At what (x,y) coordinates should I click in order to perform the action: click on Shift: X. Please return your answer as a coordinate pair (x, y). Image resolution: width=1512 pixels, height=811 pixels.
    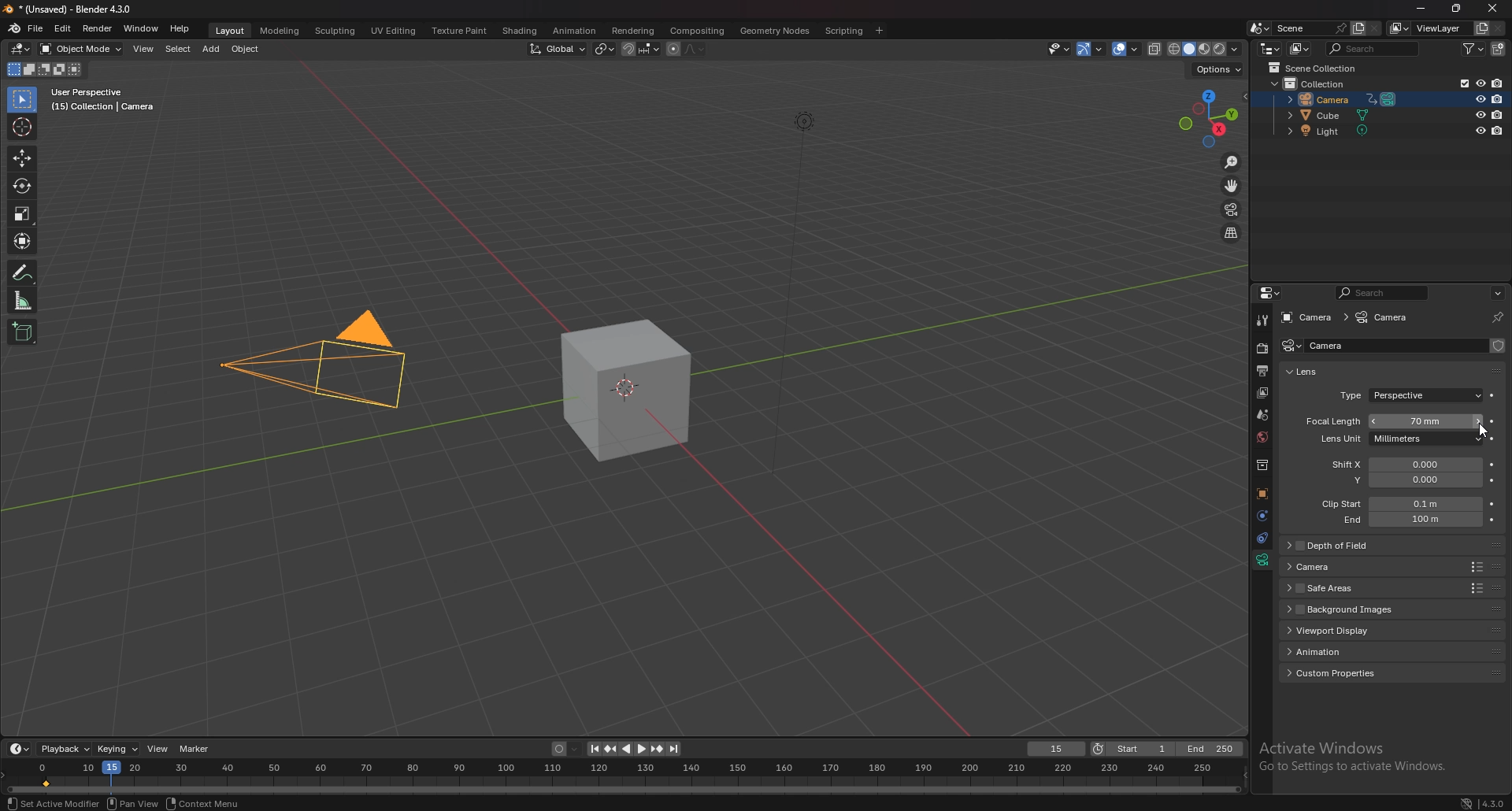
    Looking at the image, I should click on (1404, 465).